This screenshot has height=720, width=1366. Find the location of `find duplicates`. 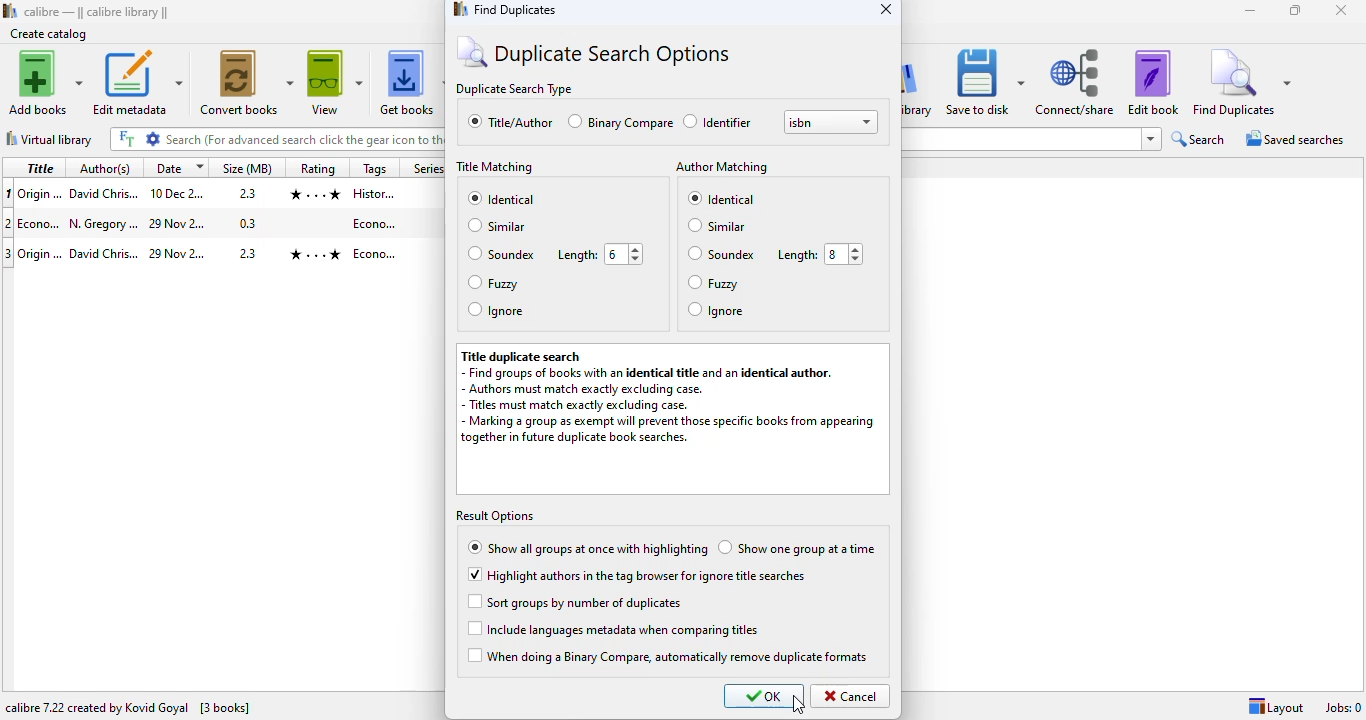

find duplicates is located at coordinates (1242, 84).